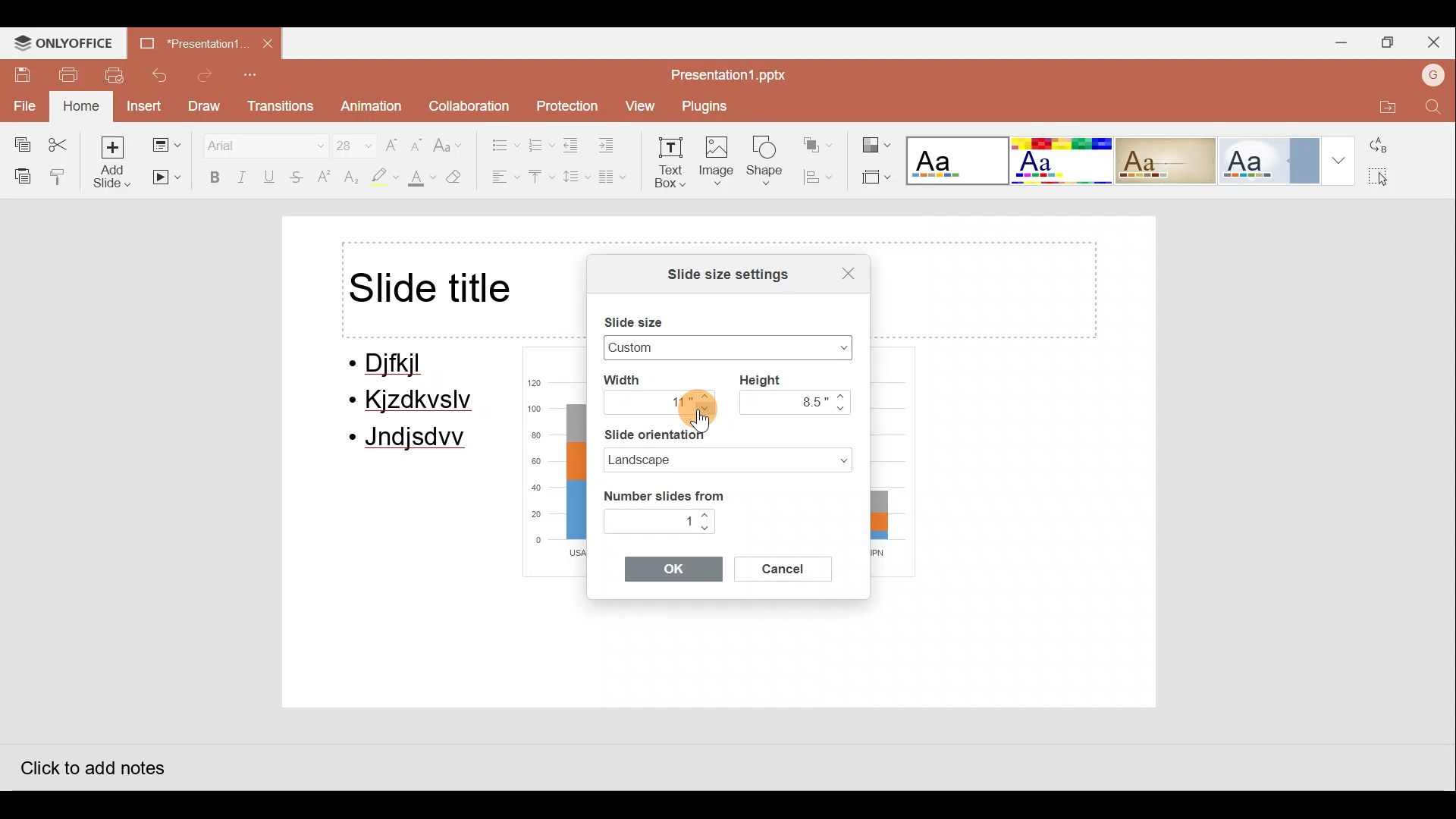  What do you see at coordinates (720, 273) in the screenshot?
I see `Slide size settings` at bounding box center [720, 273].